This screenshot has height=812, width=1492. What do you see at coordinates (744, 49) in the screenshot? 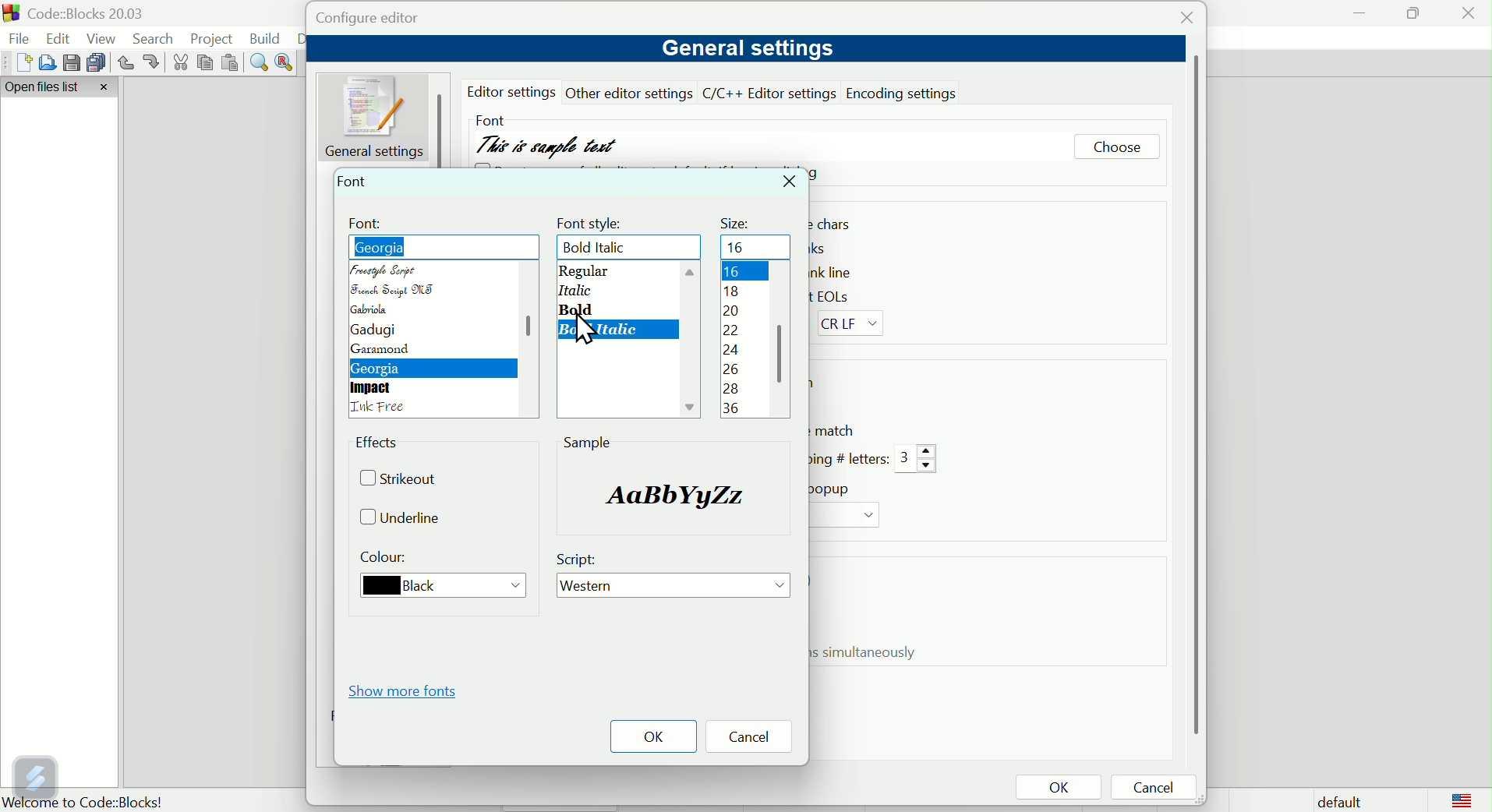
I see `General settings` at bounding box center [744, 49].